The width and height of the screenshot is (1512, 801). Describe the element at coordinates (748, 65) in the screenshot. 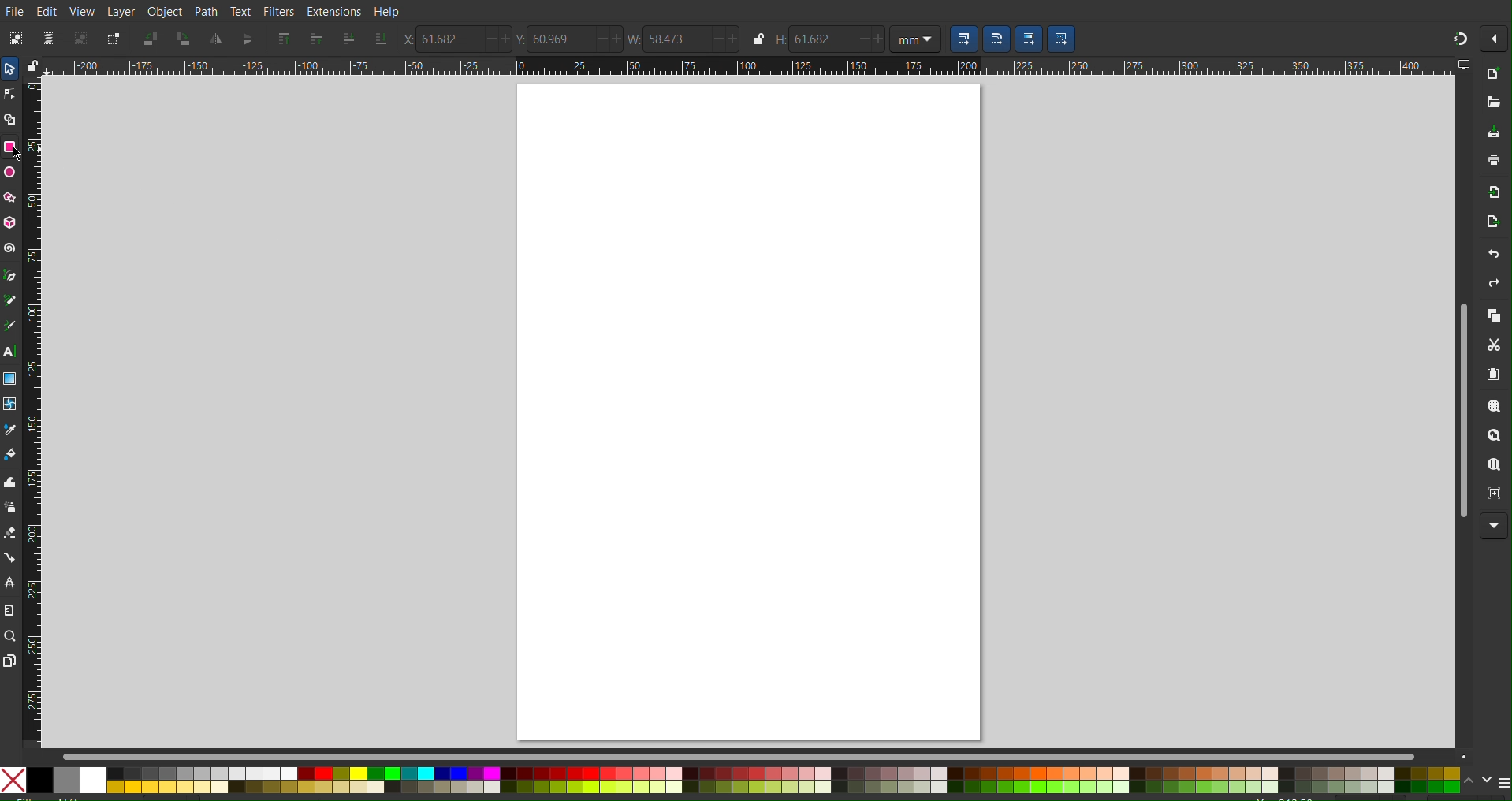

I see `Horizontal Ruler` at that location.